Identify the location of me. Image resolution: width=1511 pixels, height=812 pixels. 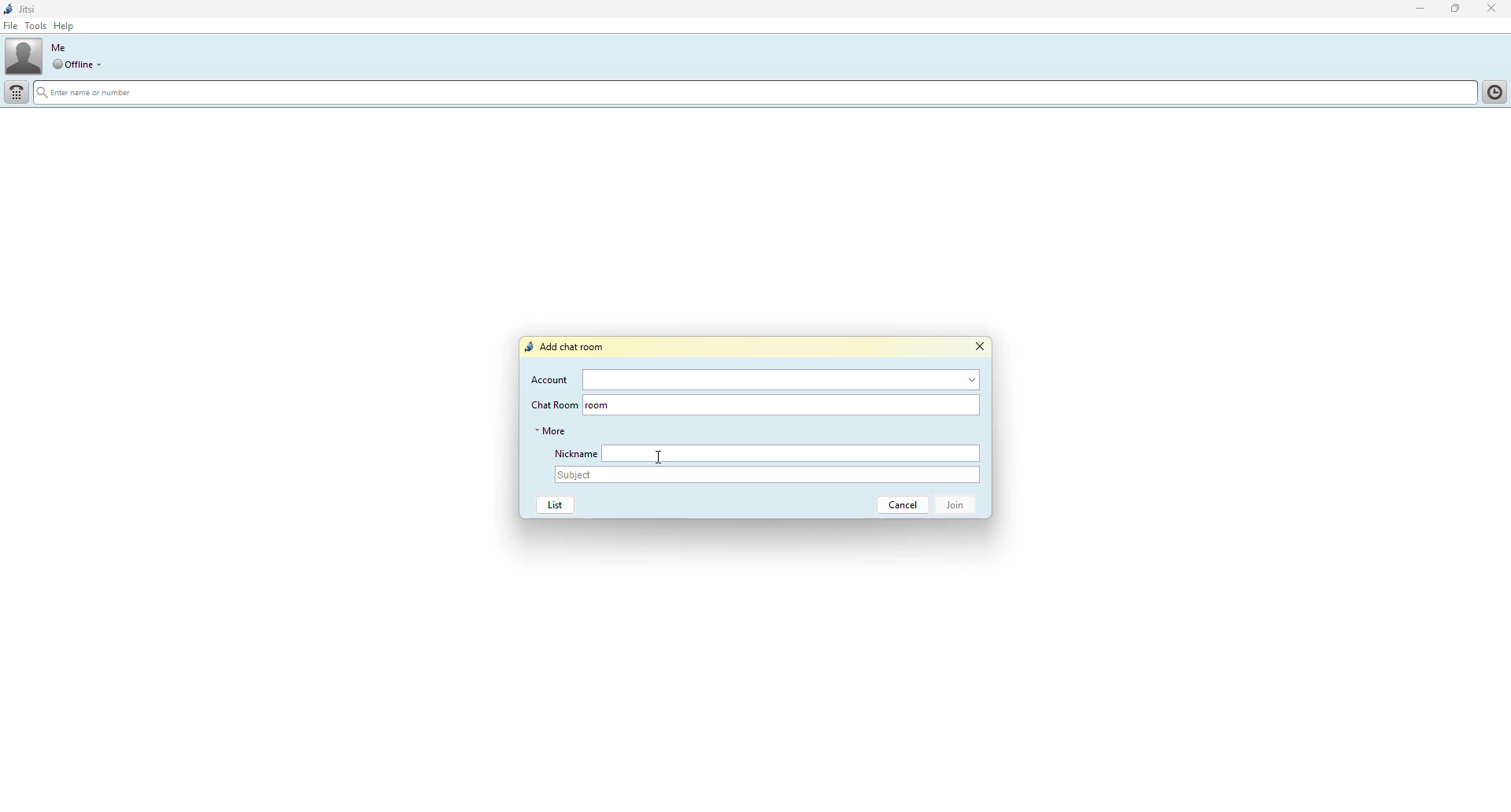
(58, 47).